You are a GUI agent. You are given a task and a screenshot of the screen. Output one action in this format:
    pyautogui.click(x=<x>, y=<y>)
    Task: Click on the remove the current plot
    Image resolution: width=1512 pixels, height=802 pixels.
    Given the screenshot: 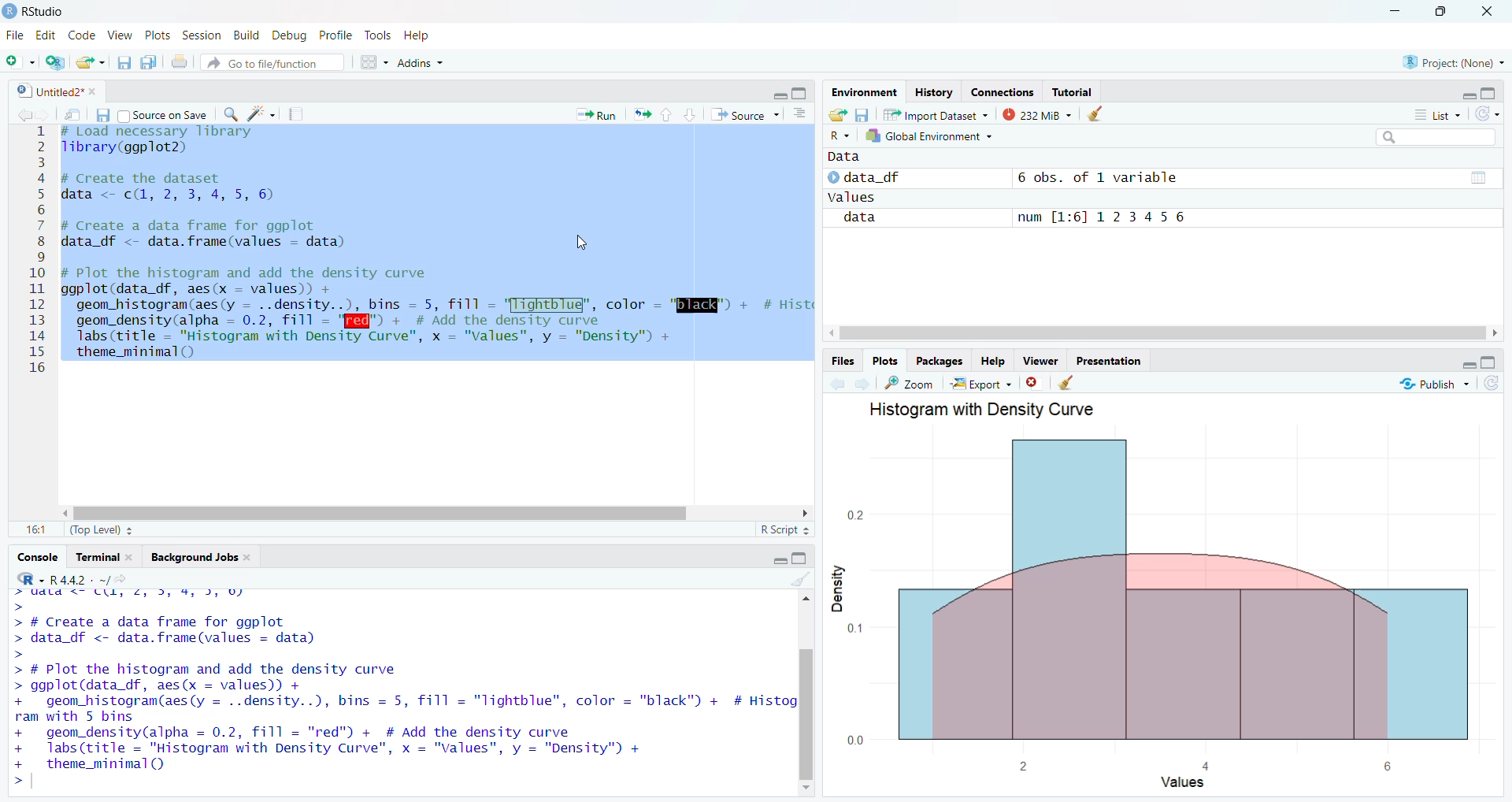 What is the action you would take?
    pyautogui.click(x=1034, y=383)
    